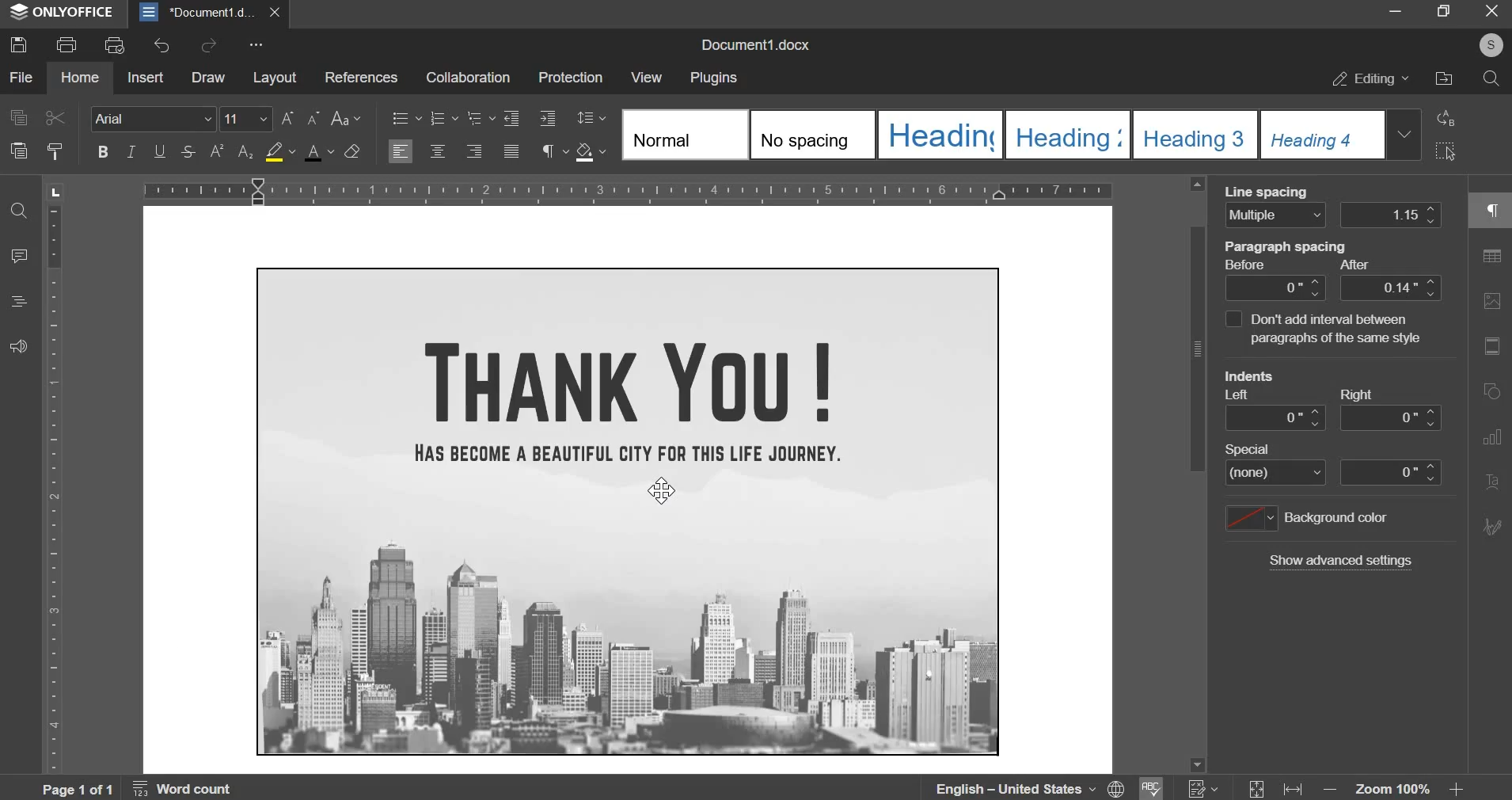 This screenshot has width=1512, height=800. Describe the element at coordinates (811, 135) in the screenshot. I see `No spacing` at that location.